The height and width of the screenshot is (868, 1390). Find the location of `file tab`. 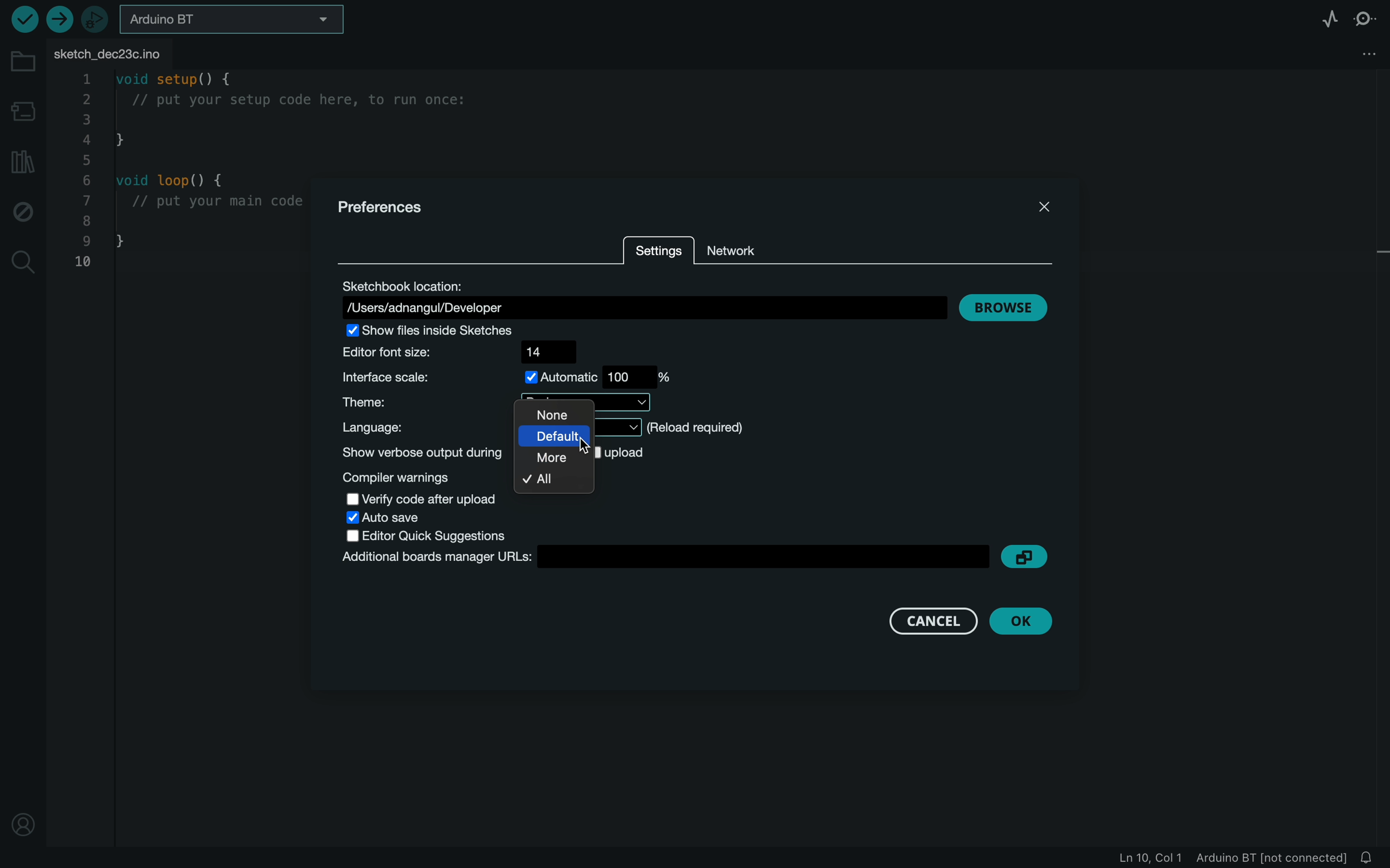

file tab is located at coordinates (122, 52).